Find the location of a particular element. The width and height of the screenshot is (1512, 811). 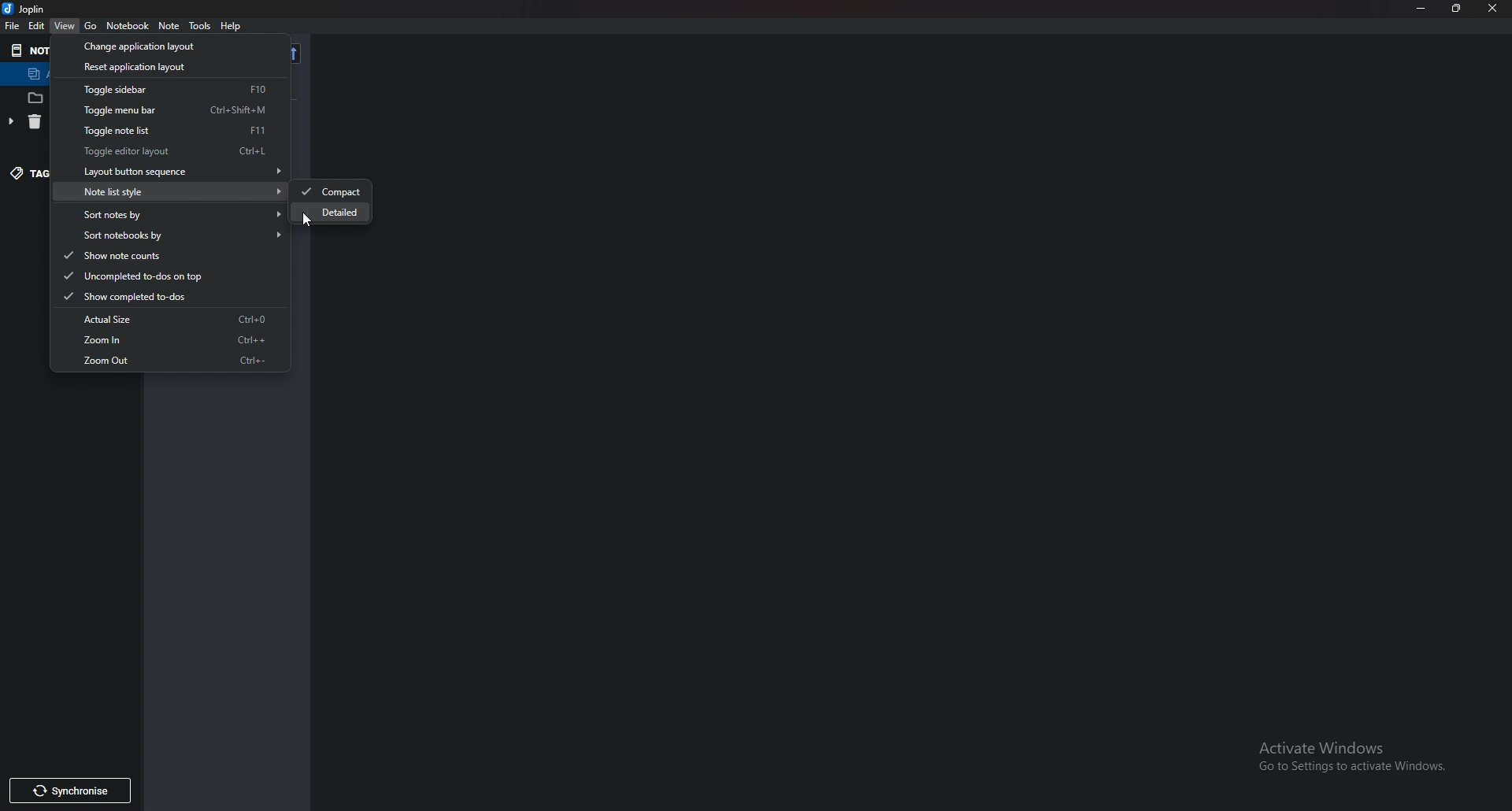

Layout button sequence is located at coordinates (174, 172).